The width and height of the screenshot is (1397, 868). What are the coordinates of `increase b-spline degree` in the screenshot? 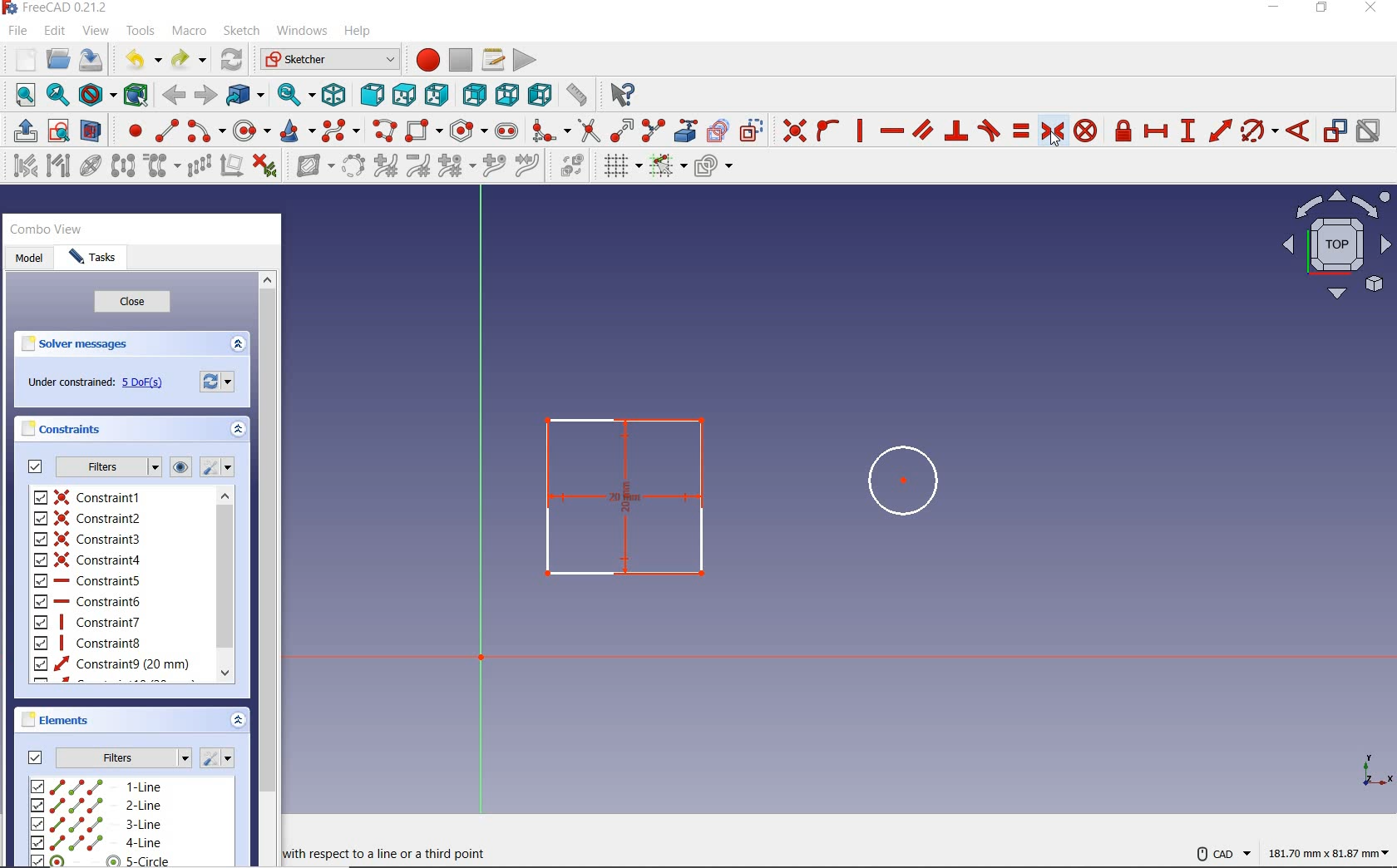 It's located at (385, 167).